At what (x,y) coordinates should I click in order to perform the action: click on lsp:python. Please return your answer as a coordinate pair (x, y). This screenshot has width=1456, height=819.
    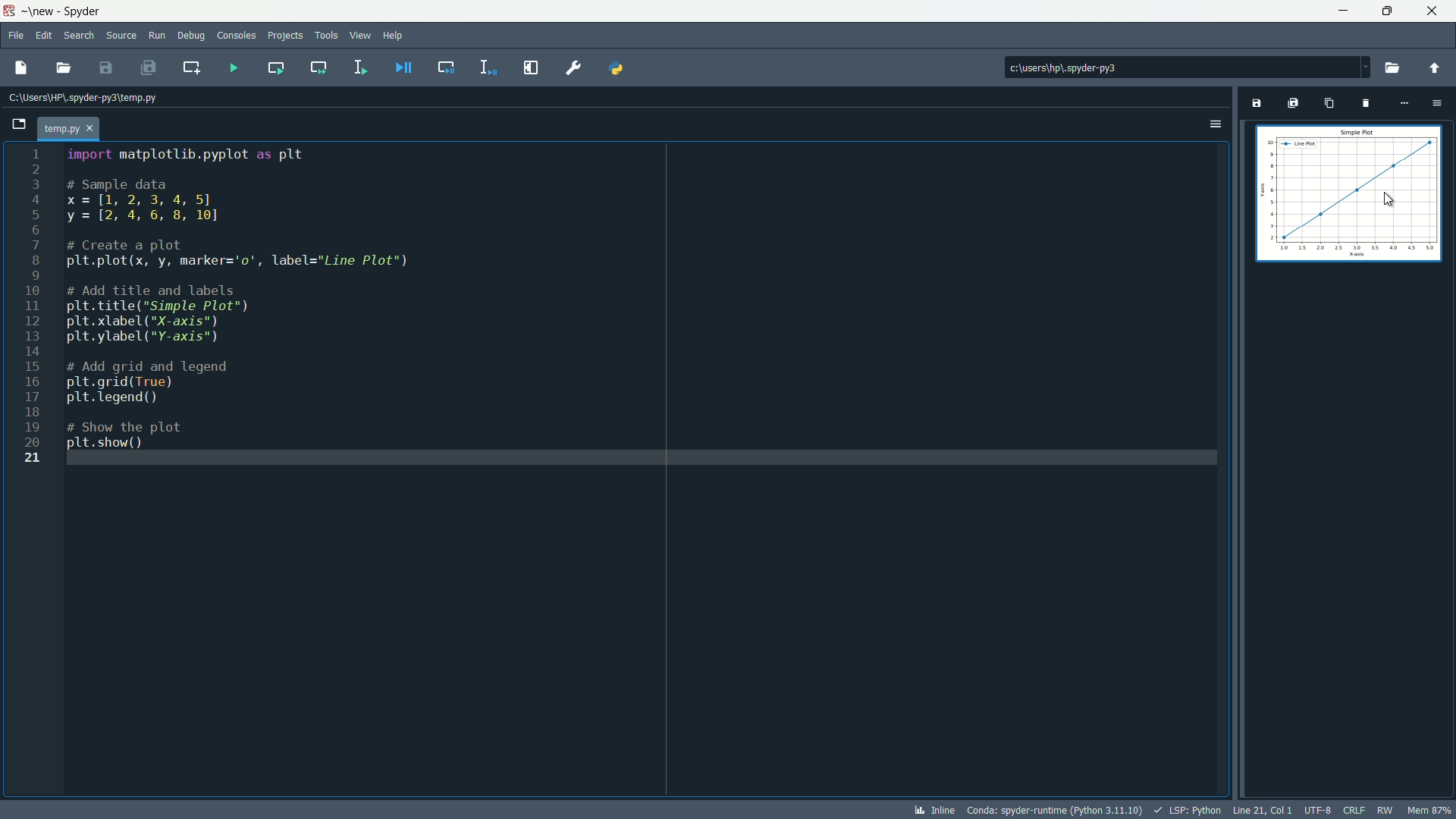
    Looking at the image, I should click on (1190, 810).